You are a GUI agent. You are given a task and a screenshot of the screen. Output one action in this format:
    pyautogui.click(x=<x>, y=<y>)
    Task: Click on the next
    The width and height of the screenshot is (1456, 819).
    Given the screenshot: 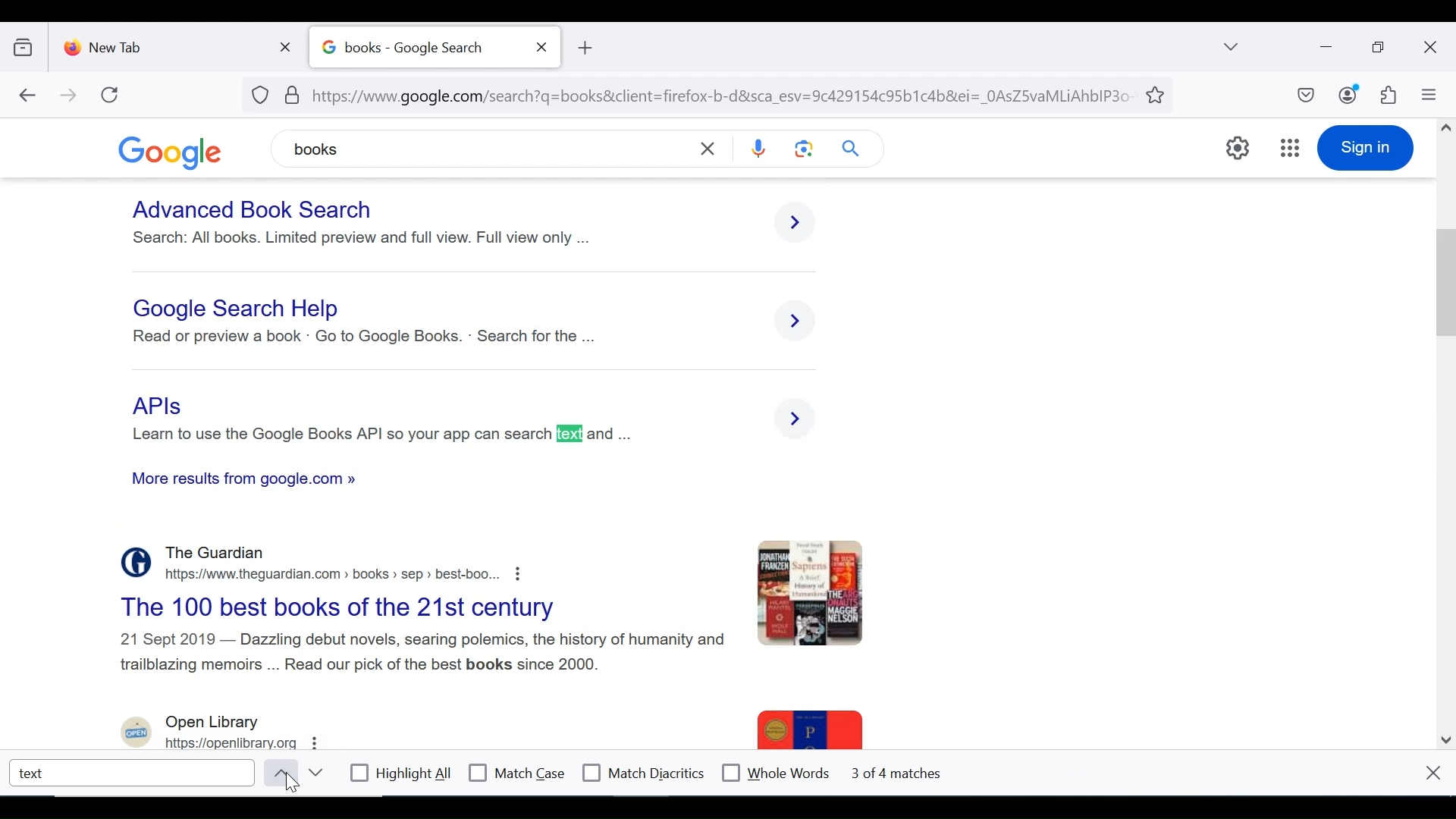 What is the action you would take?
    pyautogui.click(x=315, y=773)
    